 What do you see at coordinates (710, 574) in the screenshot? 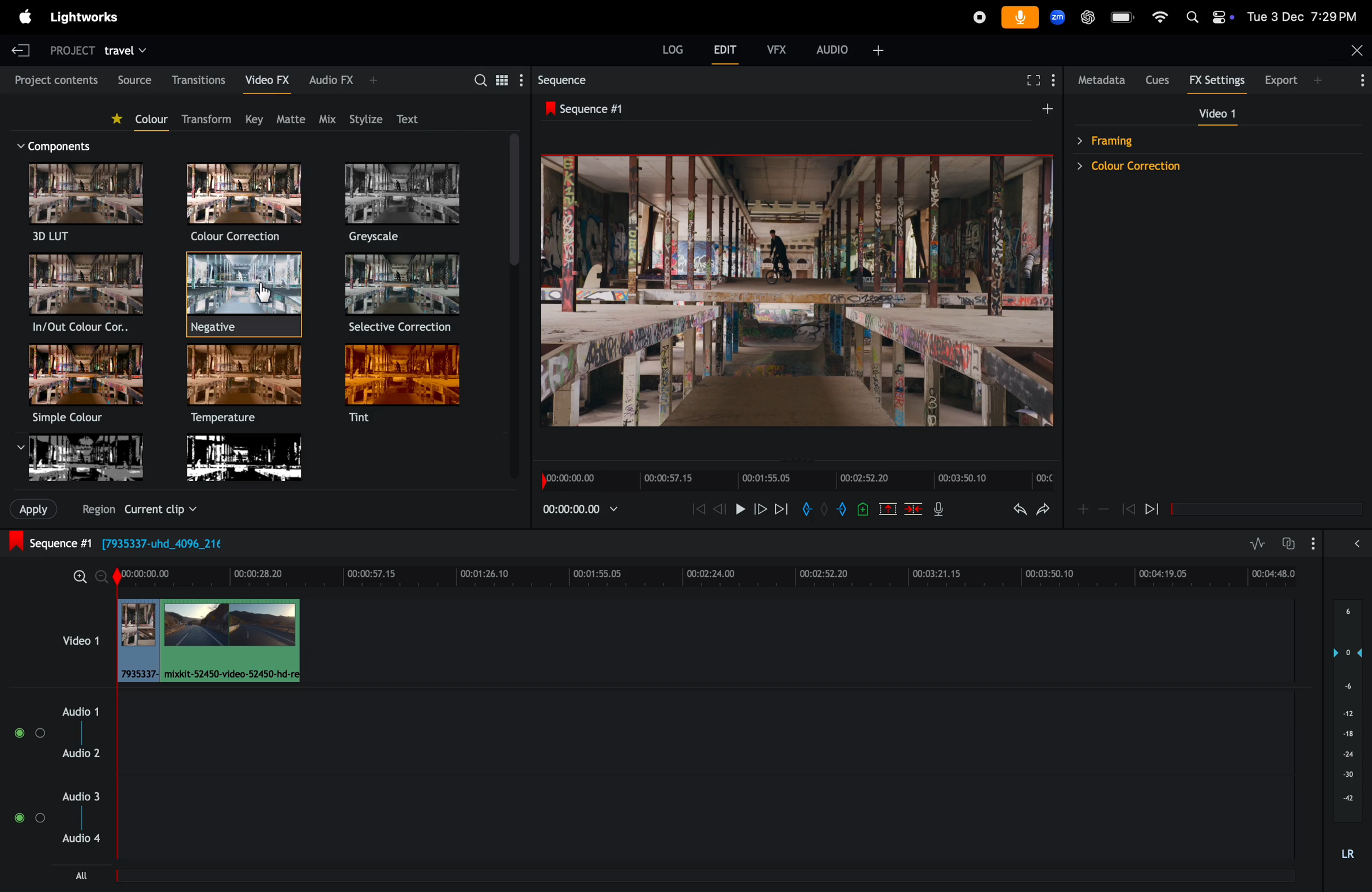
I see `time frame` at bounding box center [710, 574].